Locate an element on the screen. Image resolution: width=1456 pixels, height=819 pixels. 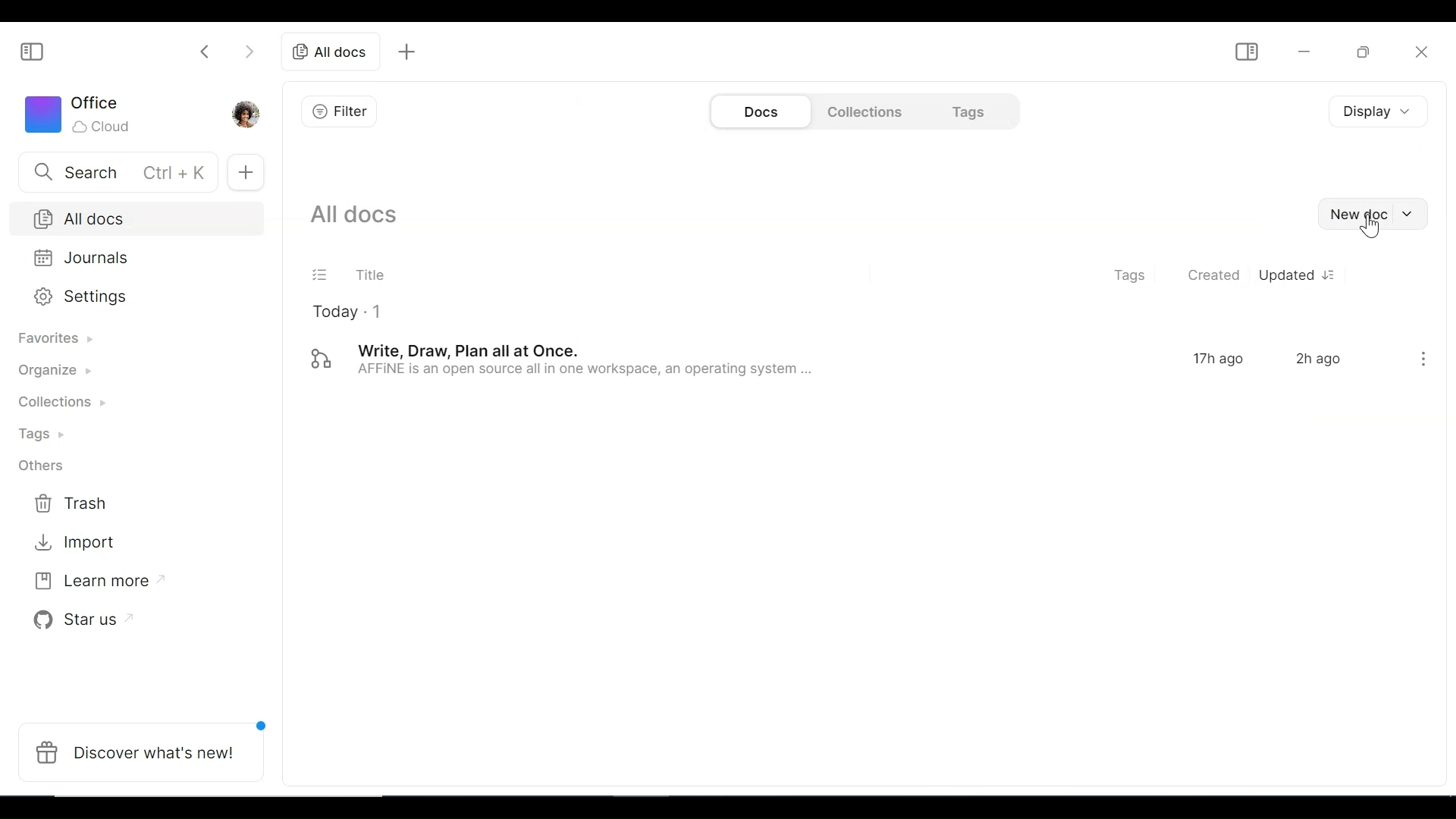
Updated is located at coordinates (1293, 278).